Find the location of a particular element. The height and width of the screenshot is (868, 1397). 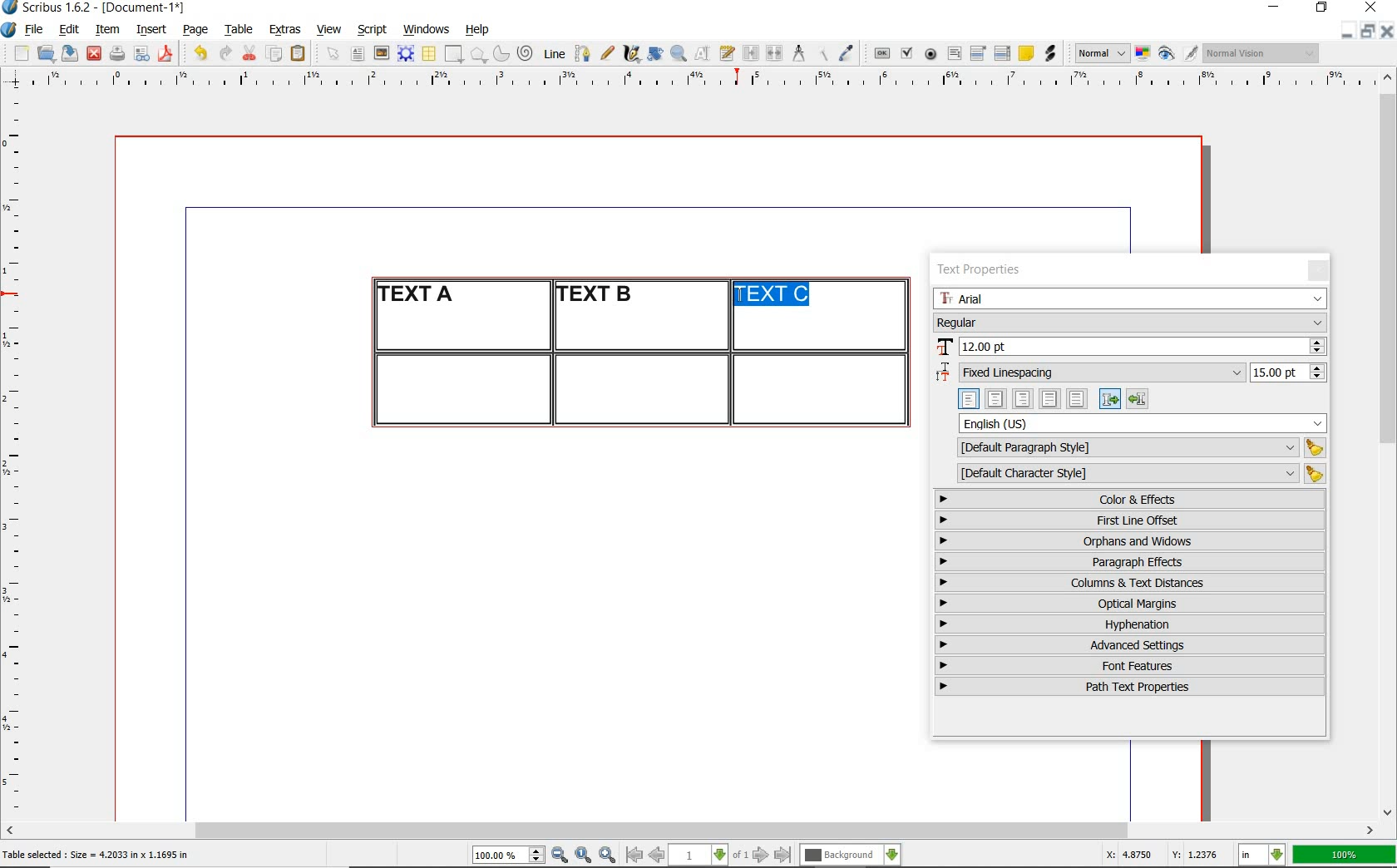

color & effects is located at coordinates (1132, 499).